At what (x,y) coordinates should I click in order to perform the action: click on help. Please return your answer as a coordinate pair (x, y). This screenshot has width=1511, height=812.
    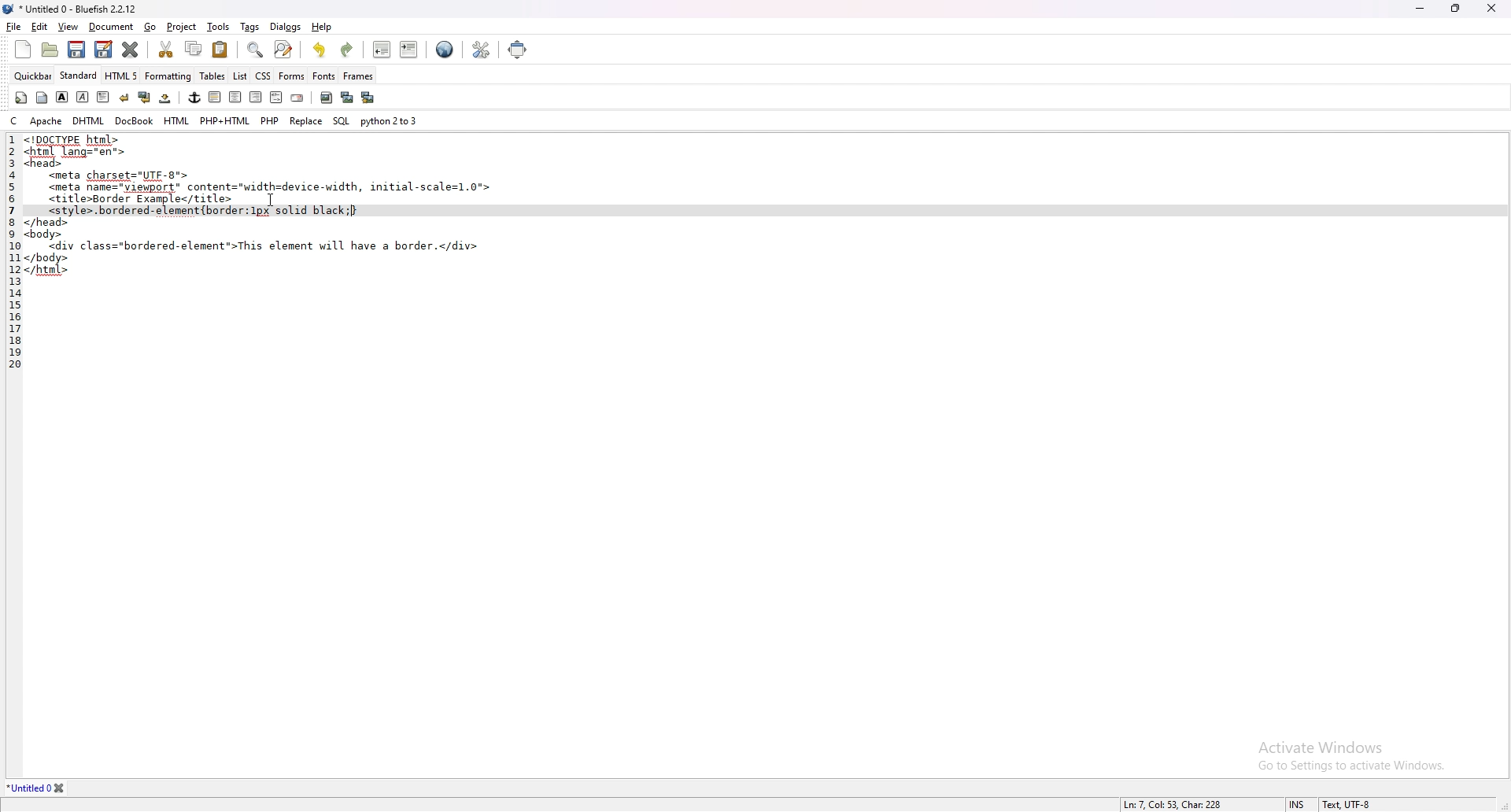
    Looking at the image, I should click on (323, 26).